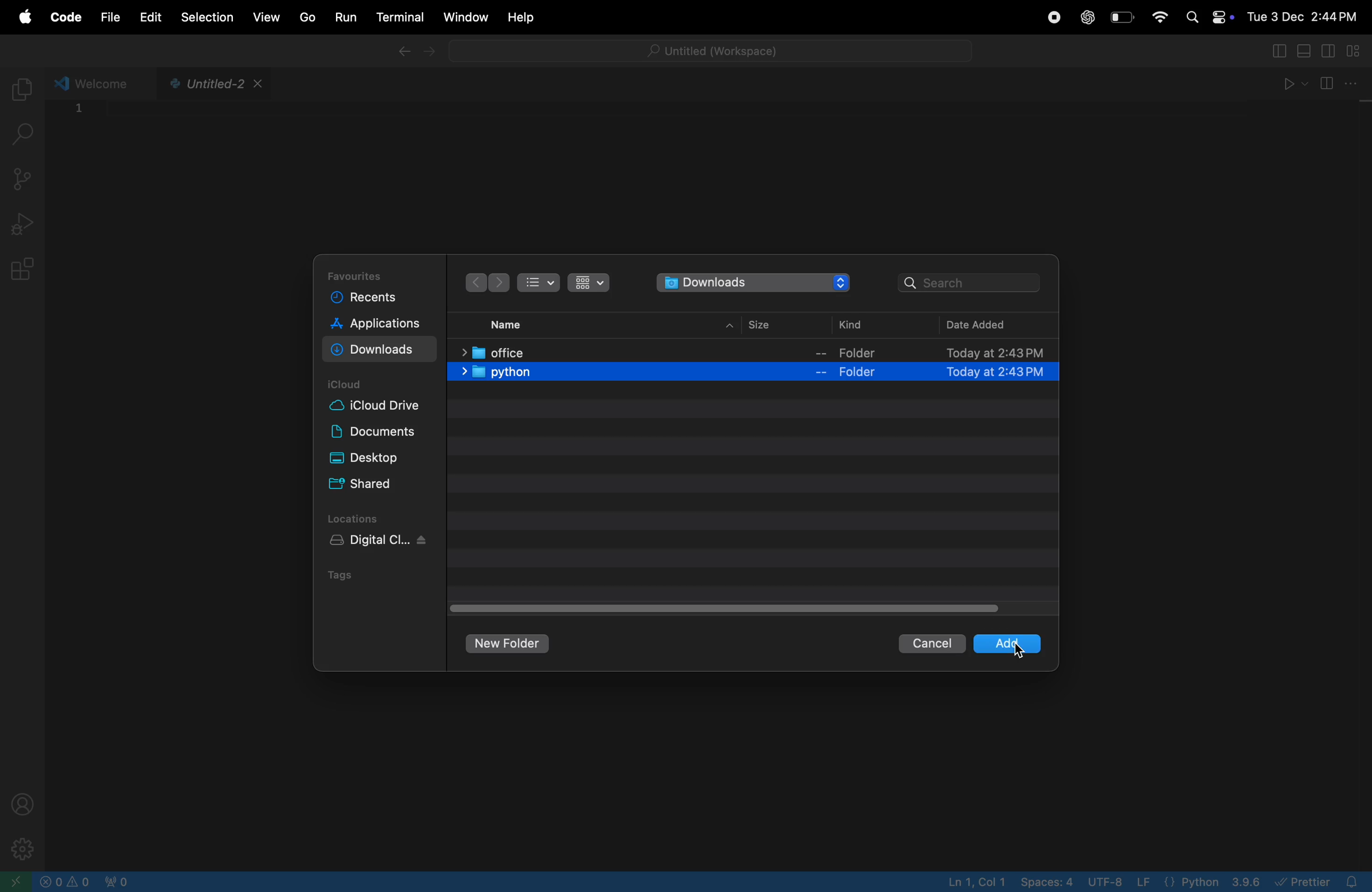 This screenshot has width=1372, height=892. Describe the element at coordinates (24, 86) in the screenshot. I see `explorer` at that location.